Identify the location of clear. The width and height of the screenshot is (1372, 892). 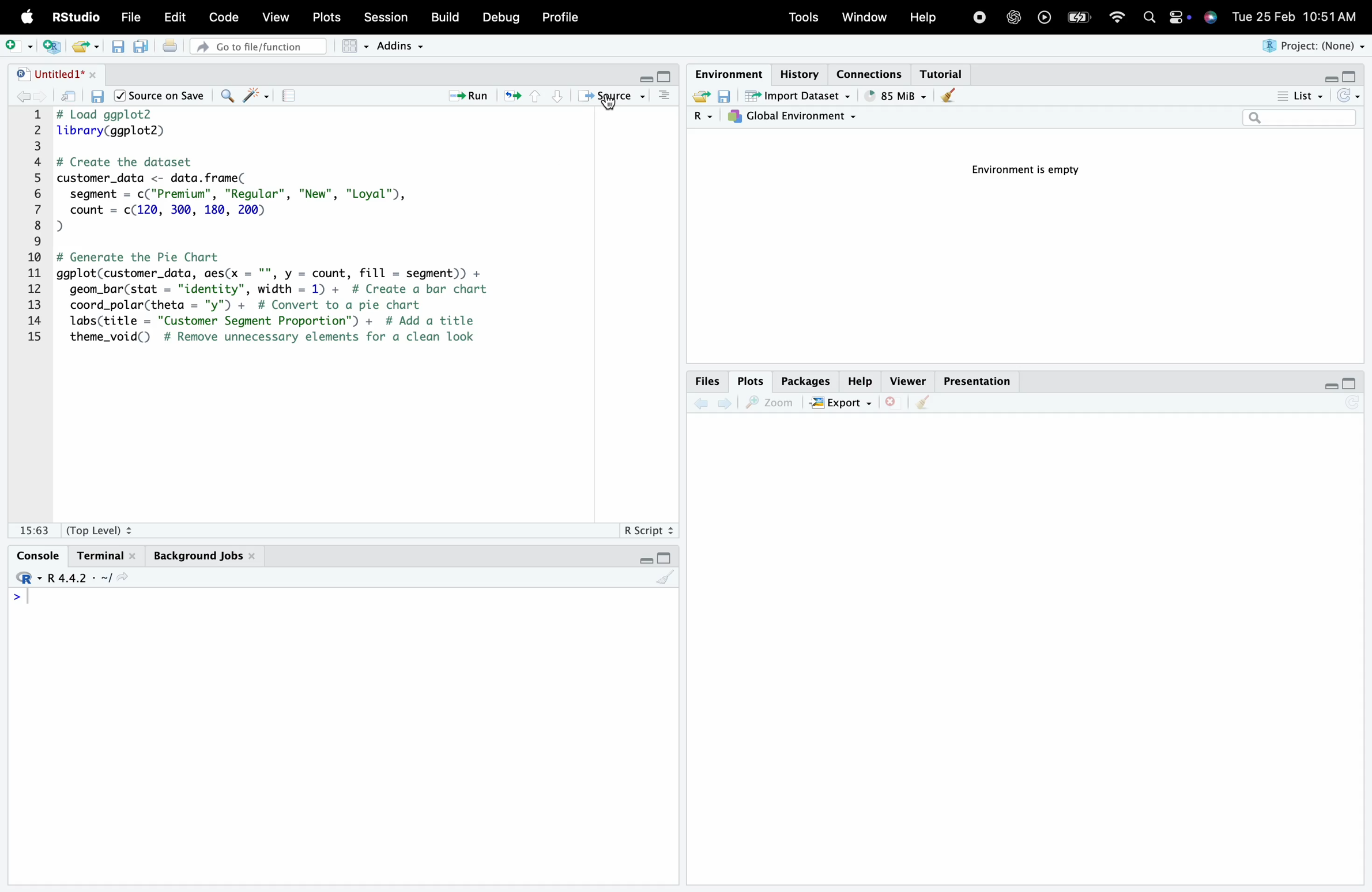
(949, 96).